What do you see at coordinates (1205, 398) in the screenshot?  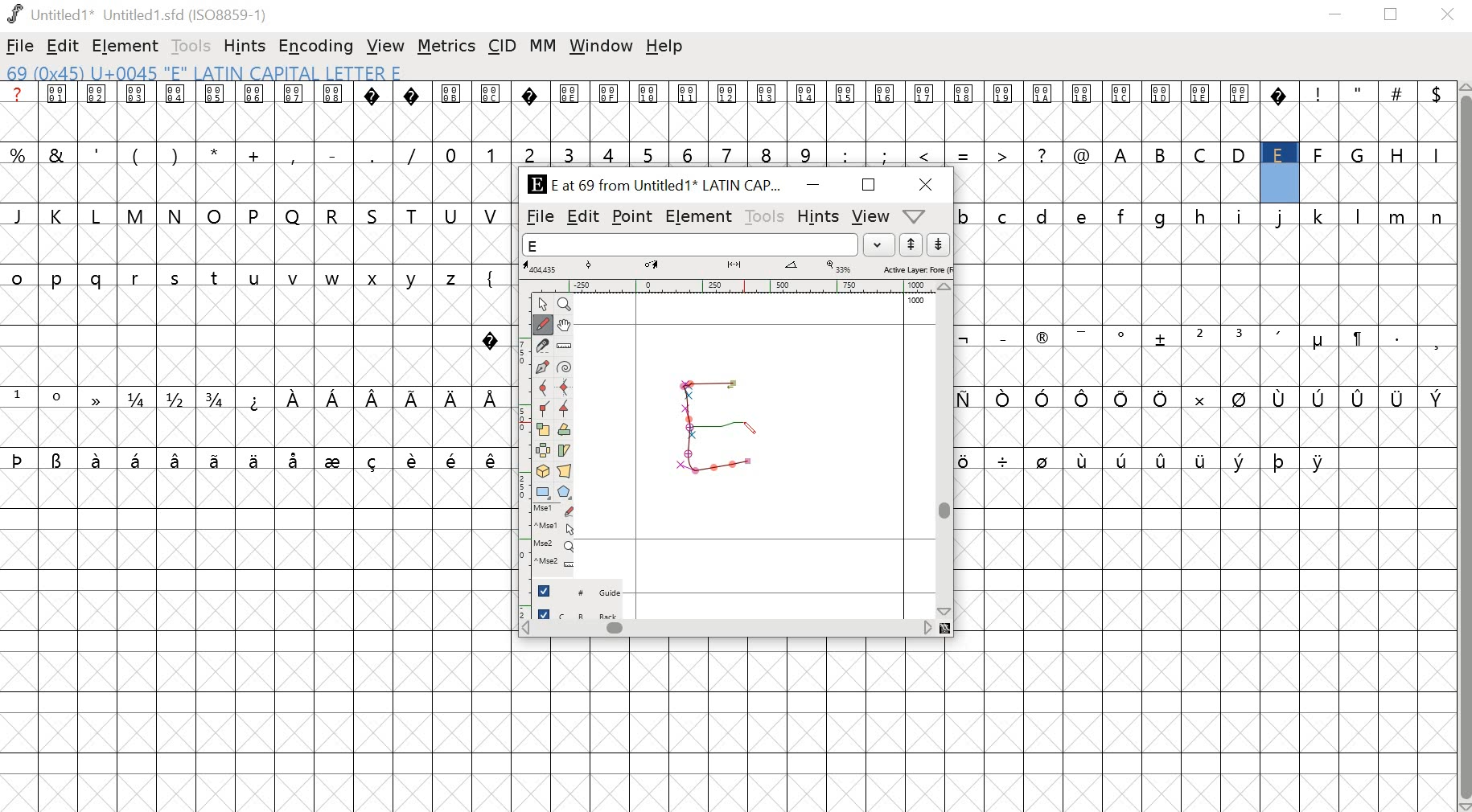 I see `special characters` at bounding box center [1205, 398].